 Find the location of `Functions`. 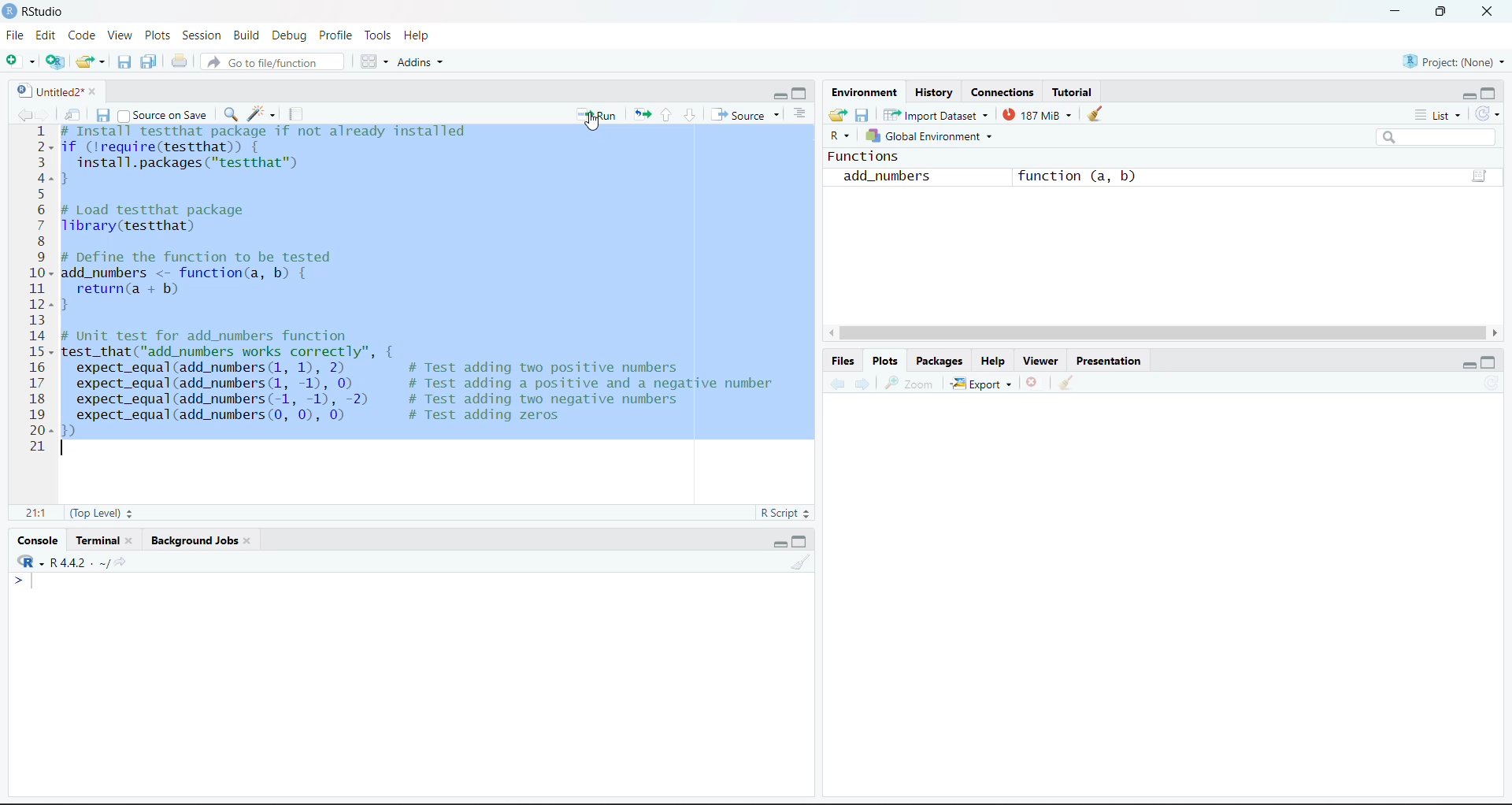

Functions is located at coordinates (864, 156).